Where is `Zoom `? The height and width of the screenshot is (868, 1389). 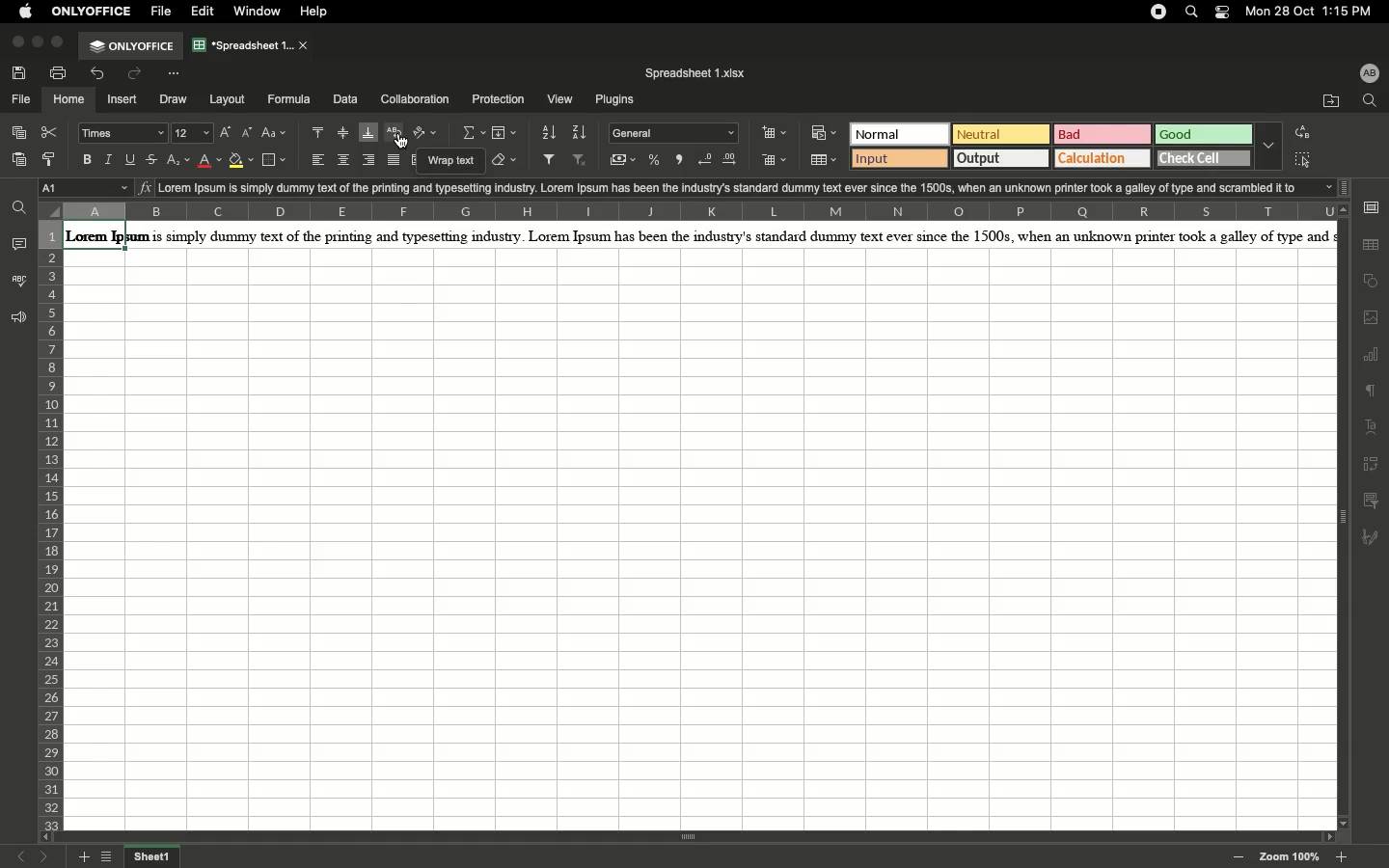
Zoom  is located at coordinates (1289, 856).